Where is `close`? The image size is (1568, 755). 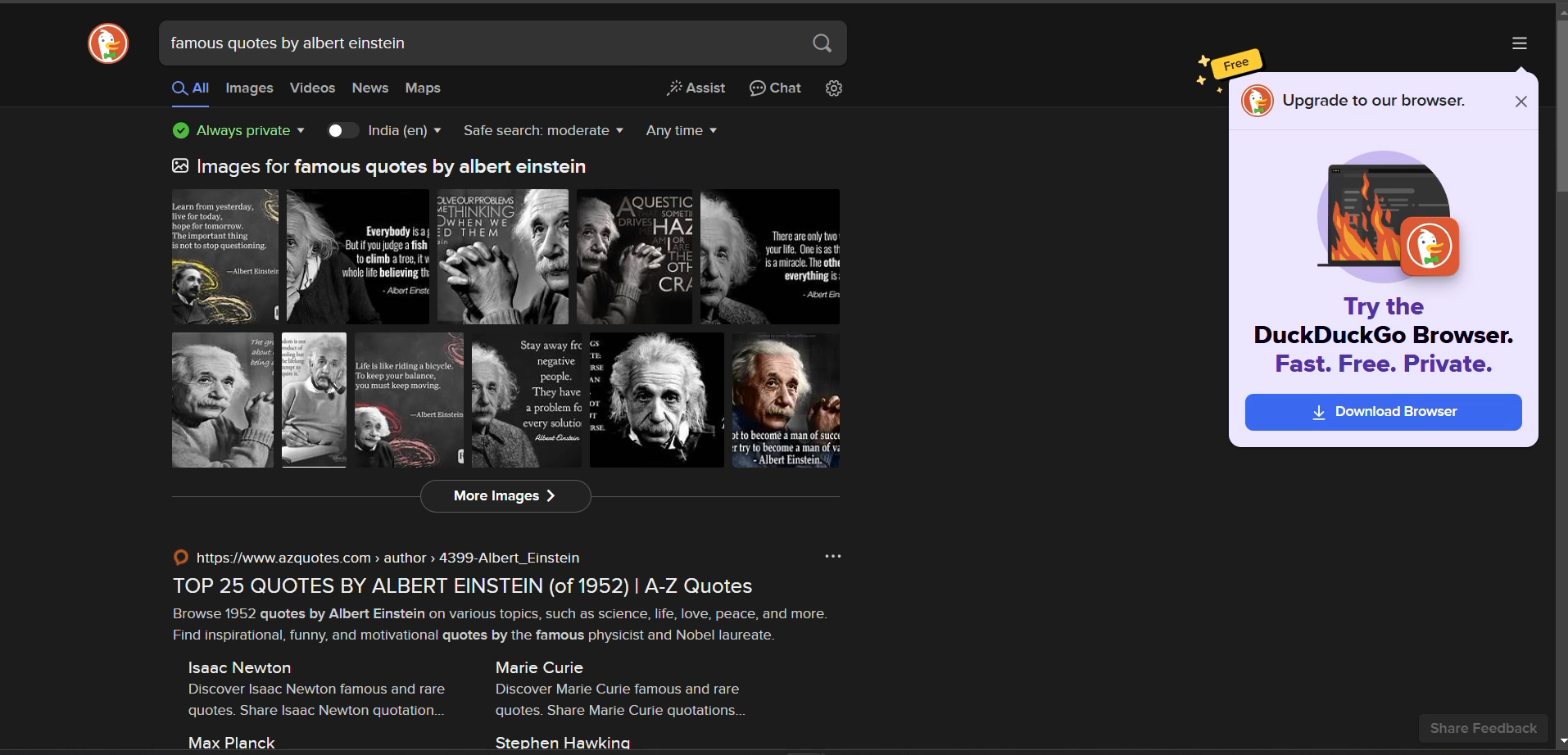 close is located at coordinates (1524, 102).